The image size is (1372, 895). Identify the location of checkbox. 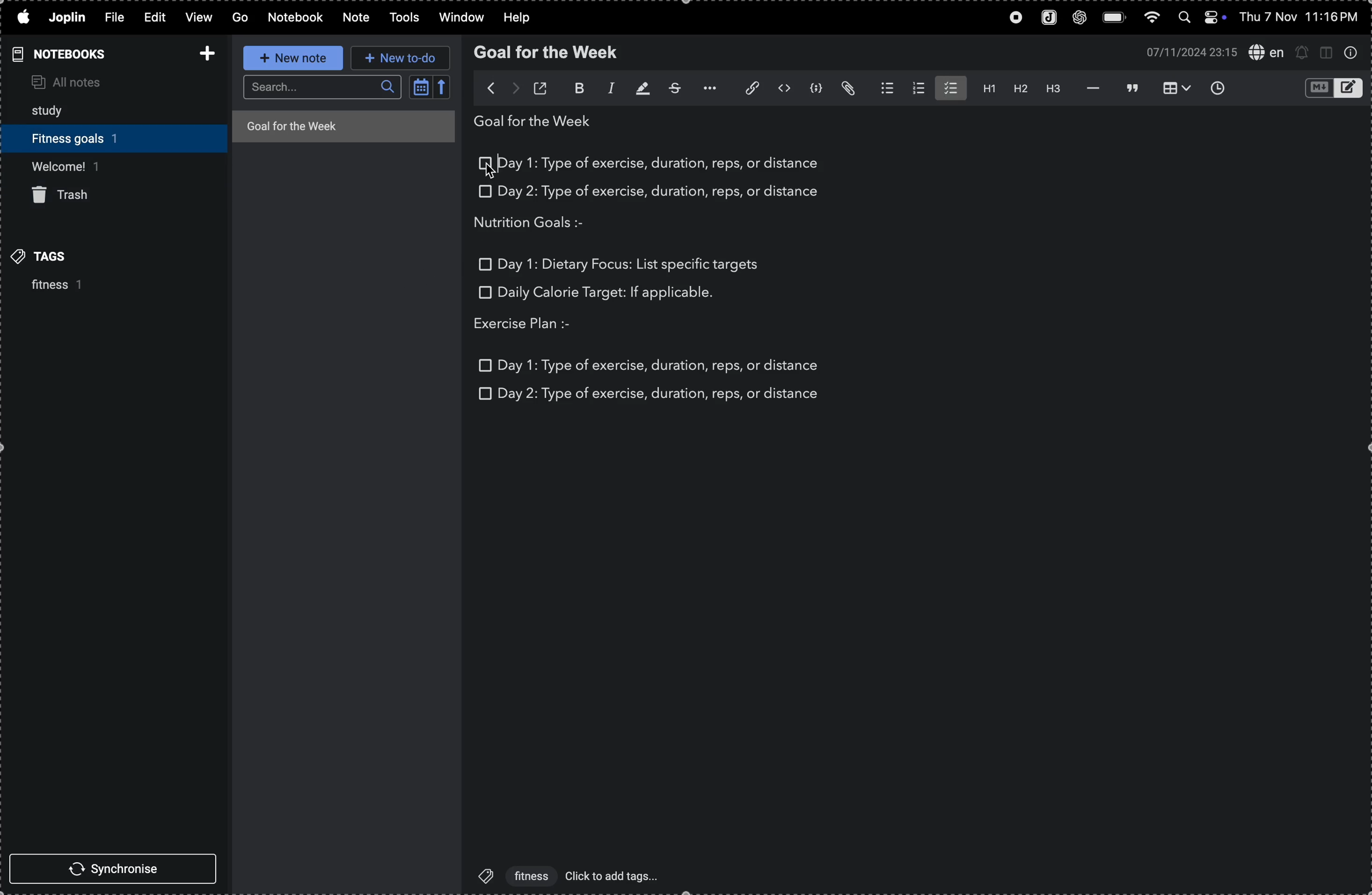
(487, 365).